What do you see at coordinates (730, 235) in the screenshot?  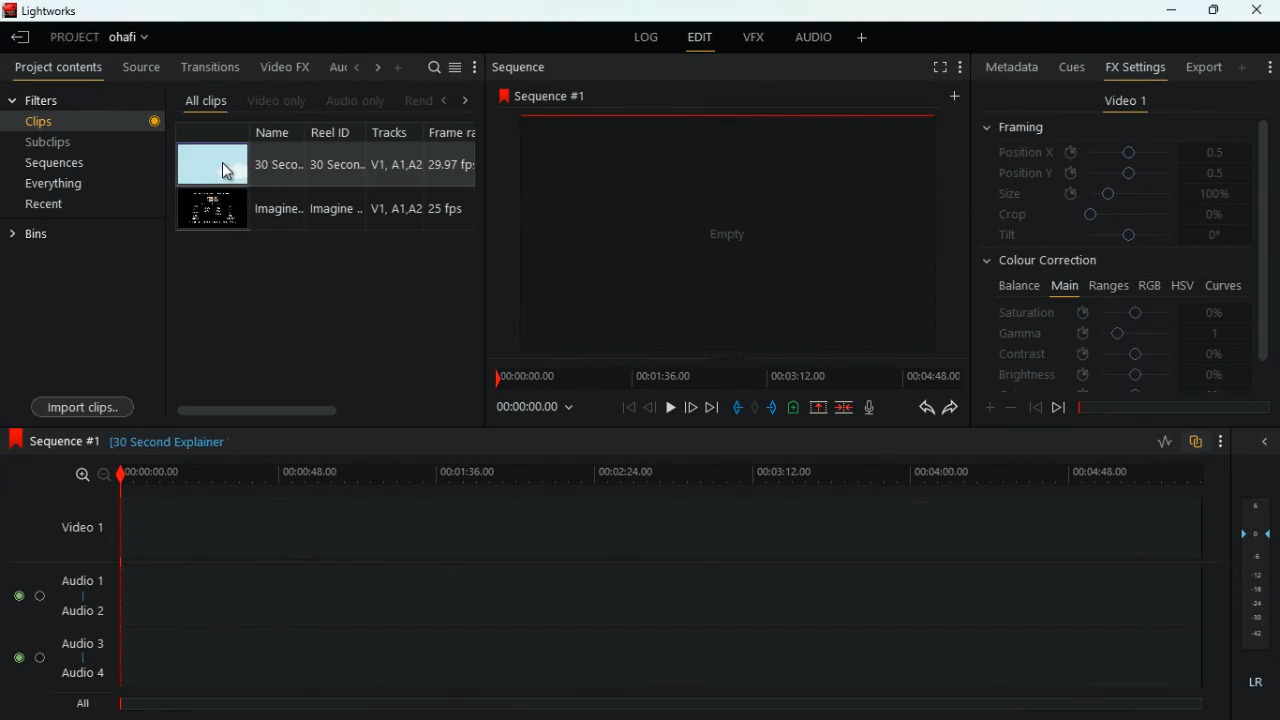 I see `screen` at bounding box center [730, 235].